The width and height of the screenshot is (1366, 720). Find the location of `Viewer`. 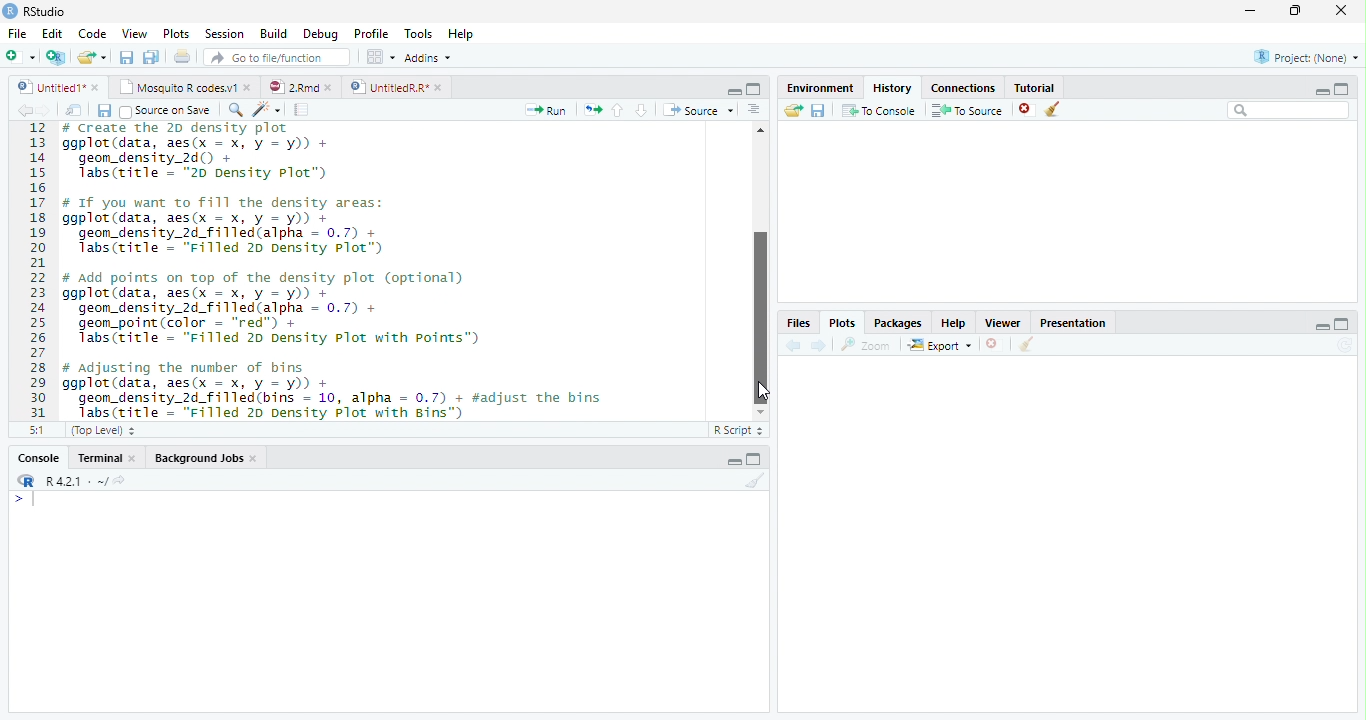

Viewer is located at coordinates (1001, 322).